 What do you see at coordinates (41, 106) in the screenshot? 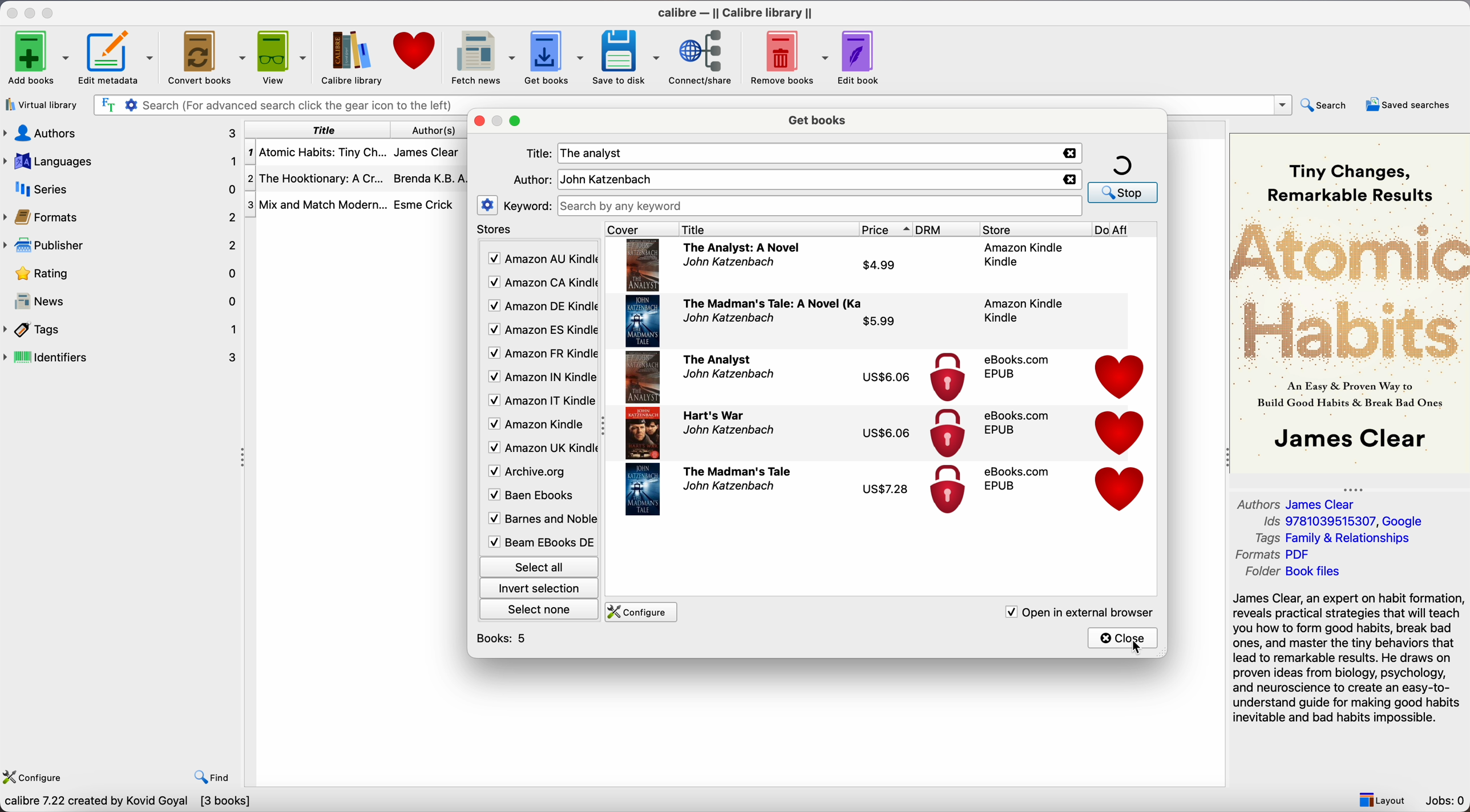
I see `virtual library` at bounding box center [41, 106].